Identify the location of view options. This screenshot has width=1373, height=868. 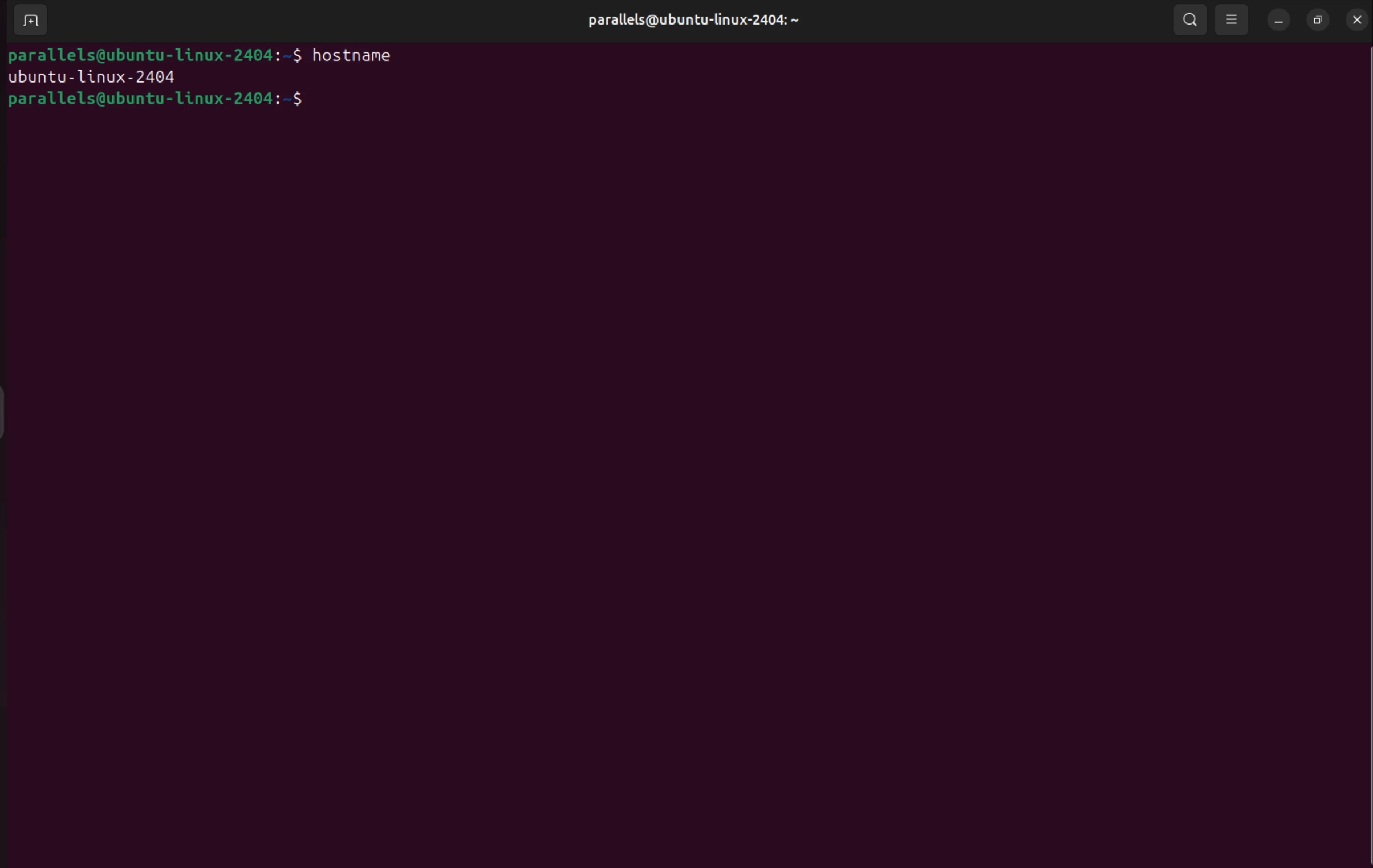
(1233, 19).